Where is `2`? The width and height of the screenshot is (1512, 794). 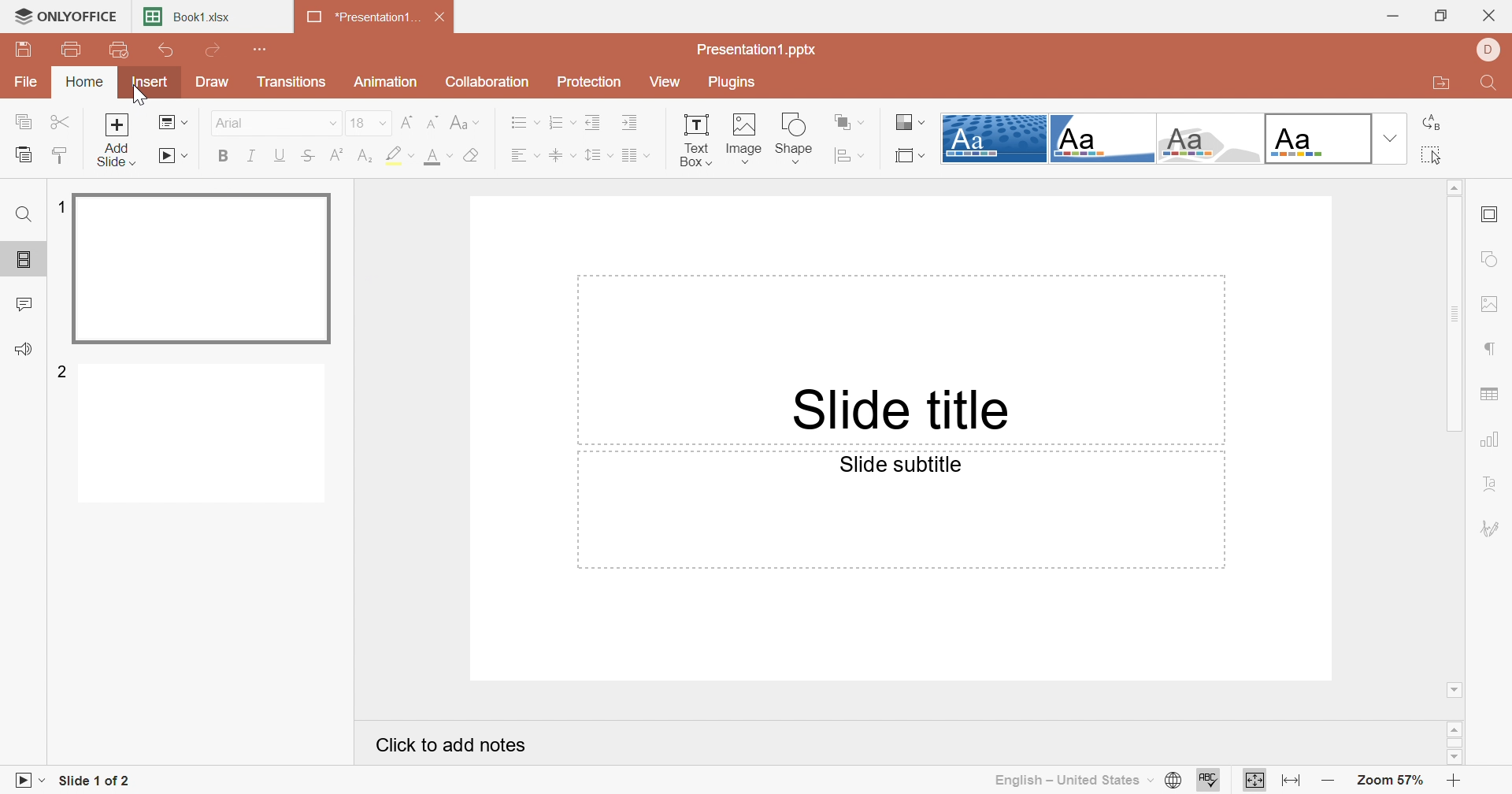
2 is located at coordinates (64, 370).